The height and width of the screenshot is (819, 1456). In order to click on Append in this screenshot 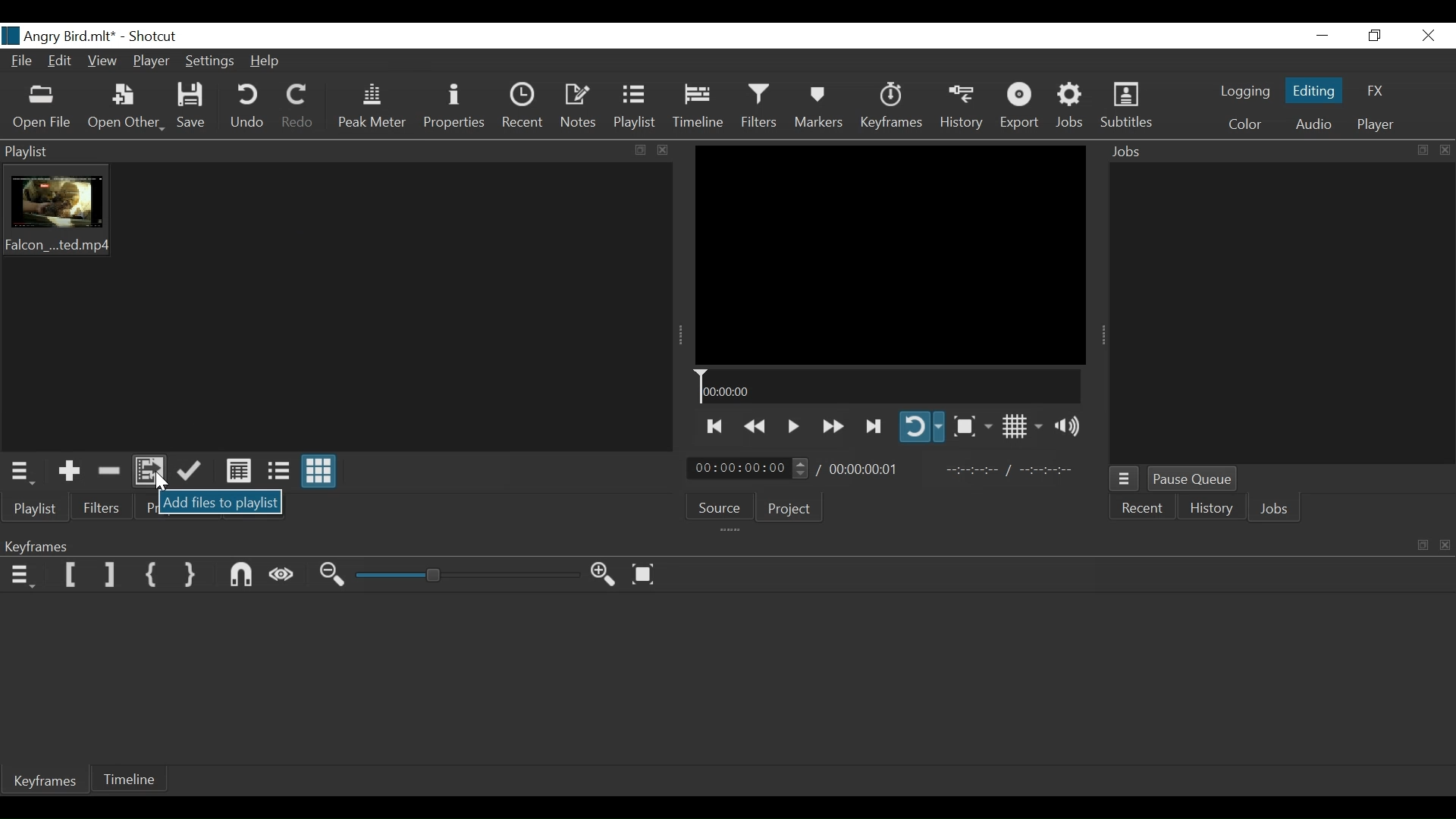, I will do `click(188, 472)`.